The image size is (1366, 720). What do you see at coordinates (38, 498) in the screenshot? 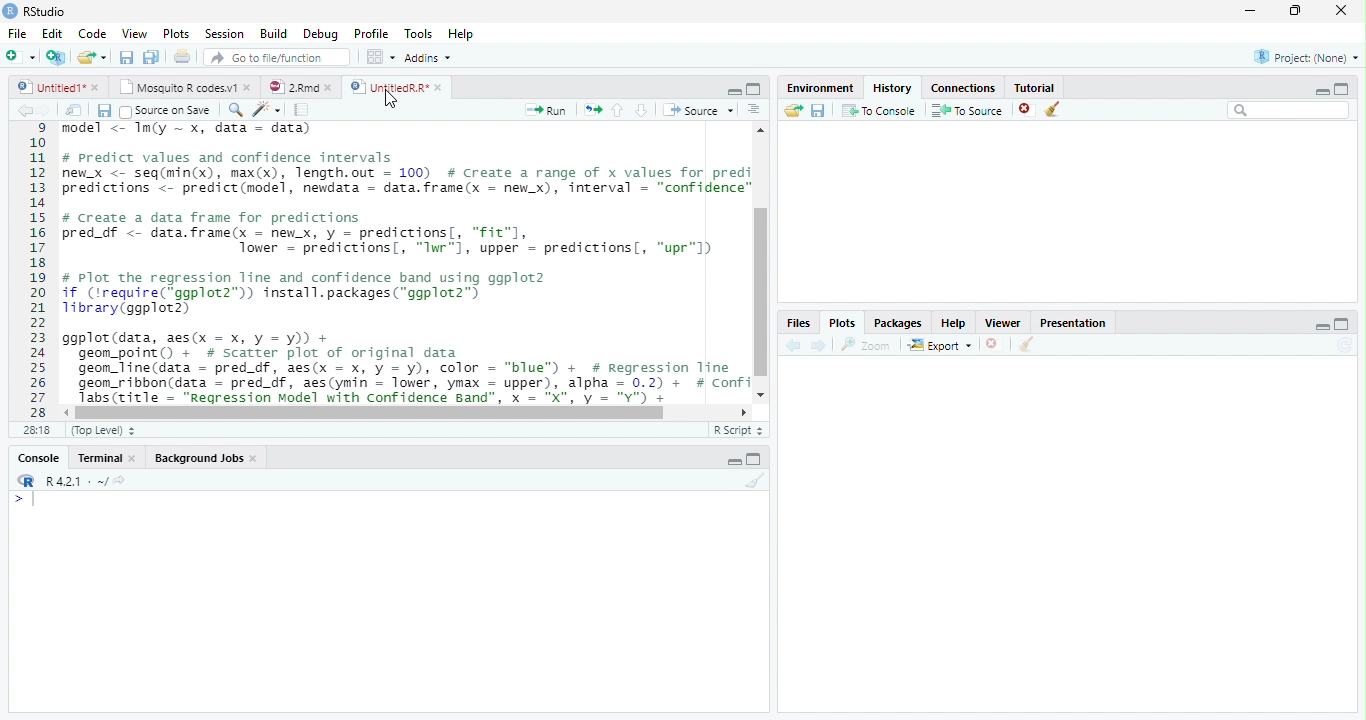
I see `Cursor` at bounding box center [38, 498].